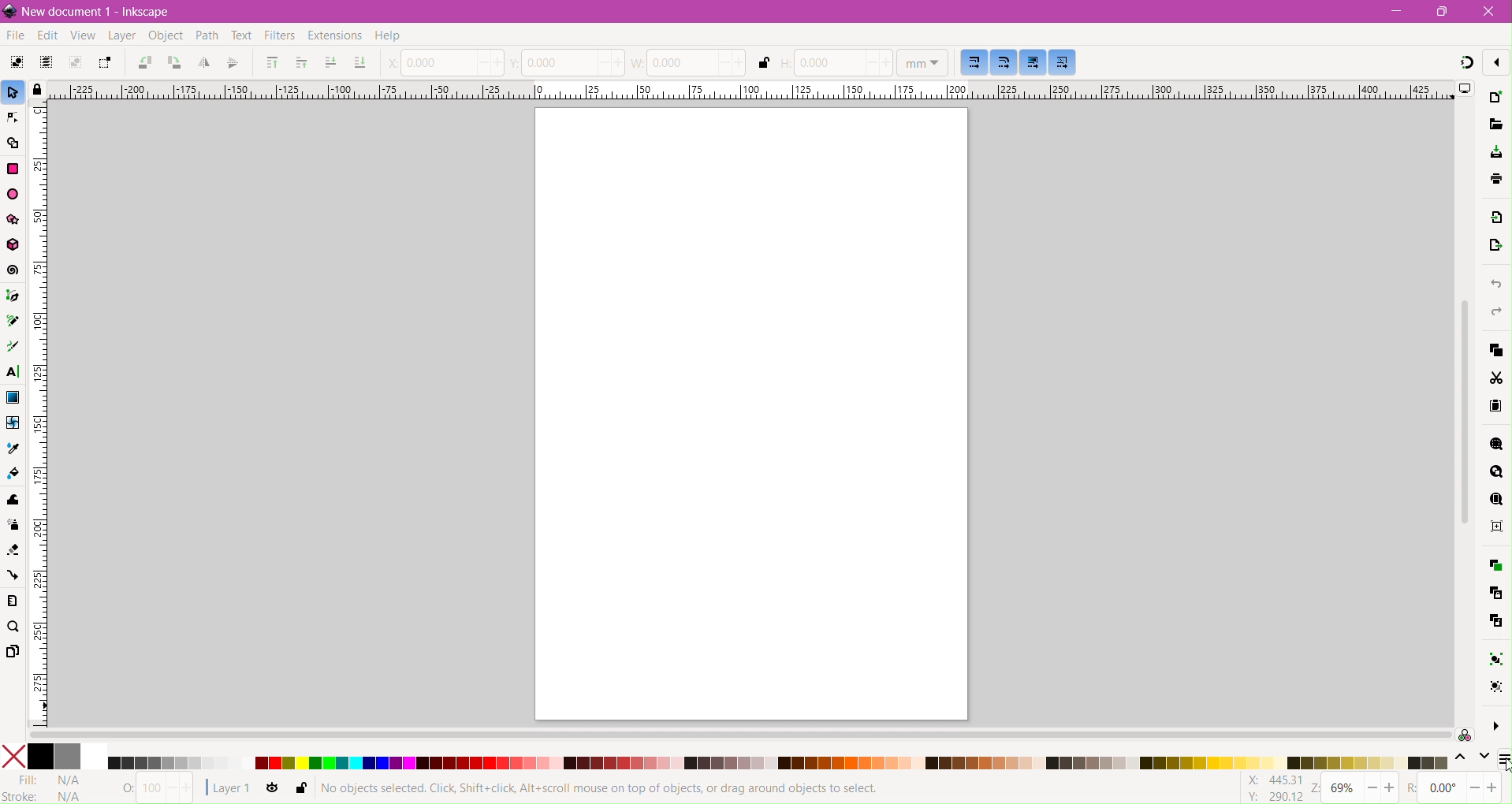  I want to click on Colors, so click(54, 757).